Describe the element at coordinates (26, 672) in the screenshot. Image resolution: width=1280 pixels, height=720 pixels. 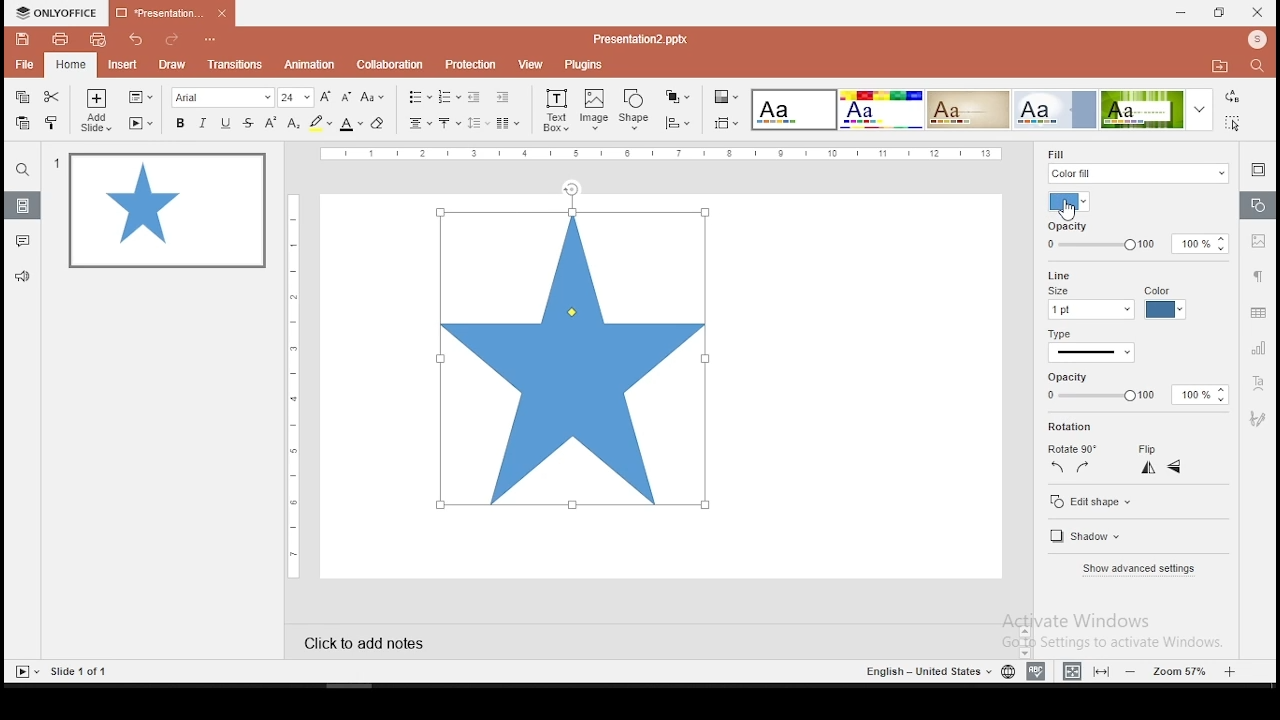
I see `start slideshow` at that location.